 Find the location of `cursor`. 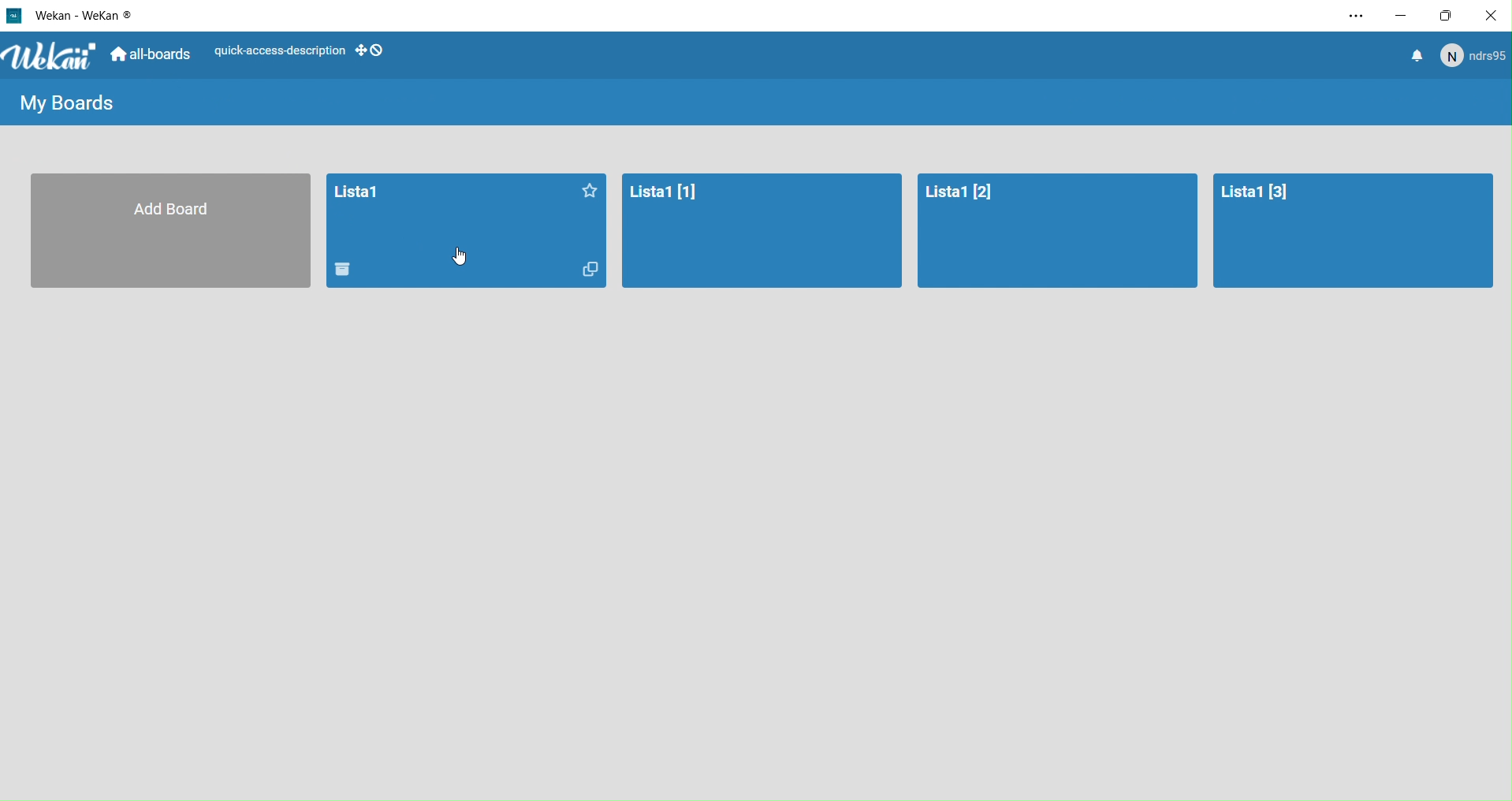

cursor is located at coordinates (463, 258).